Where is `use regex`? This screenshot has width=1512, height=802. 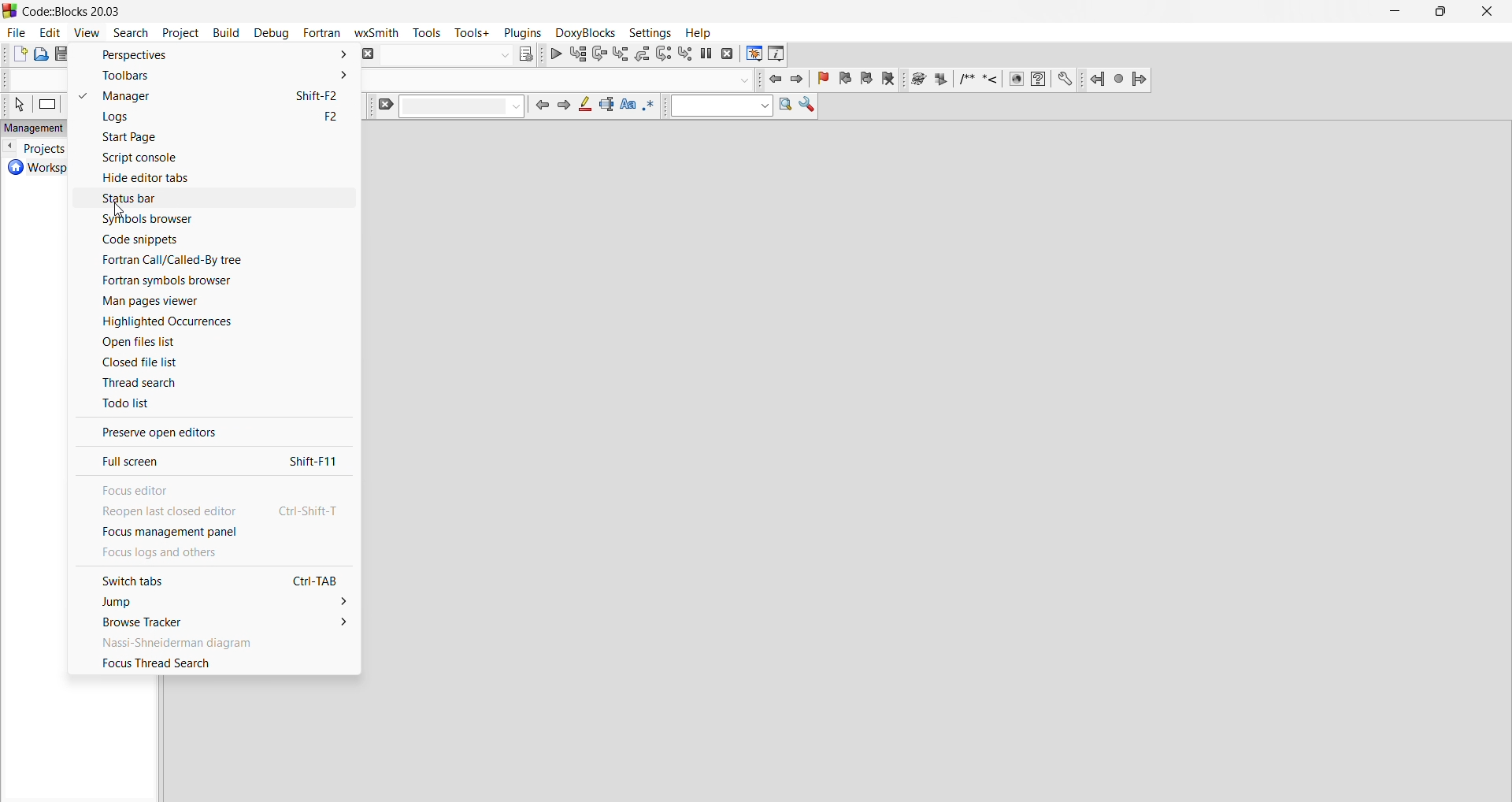
use regex is located at coordinates (650, 110).